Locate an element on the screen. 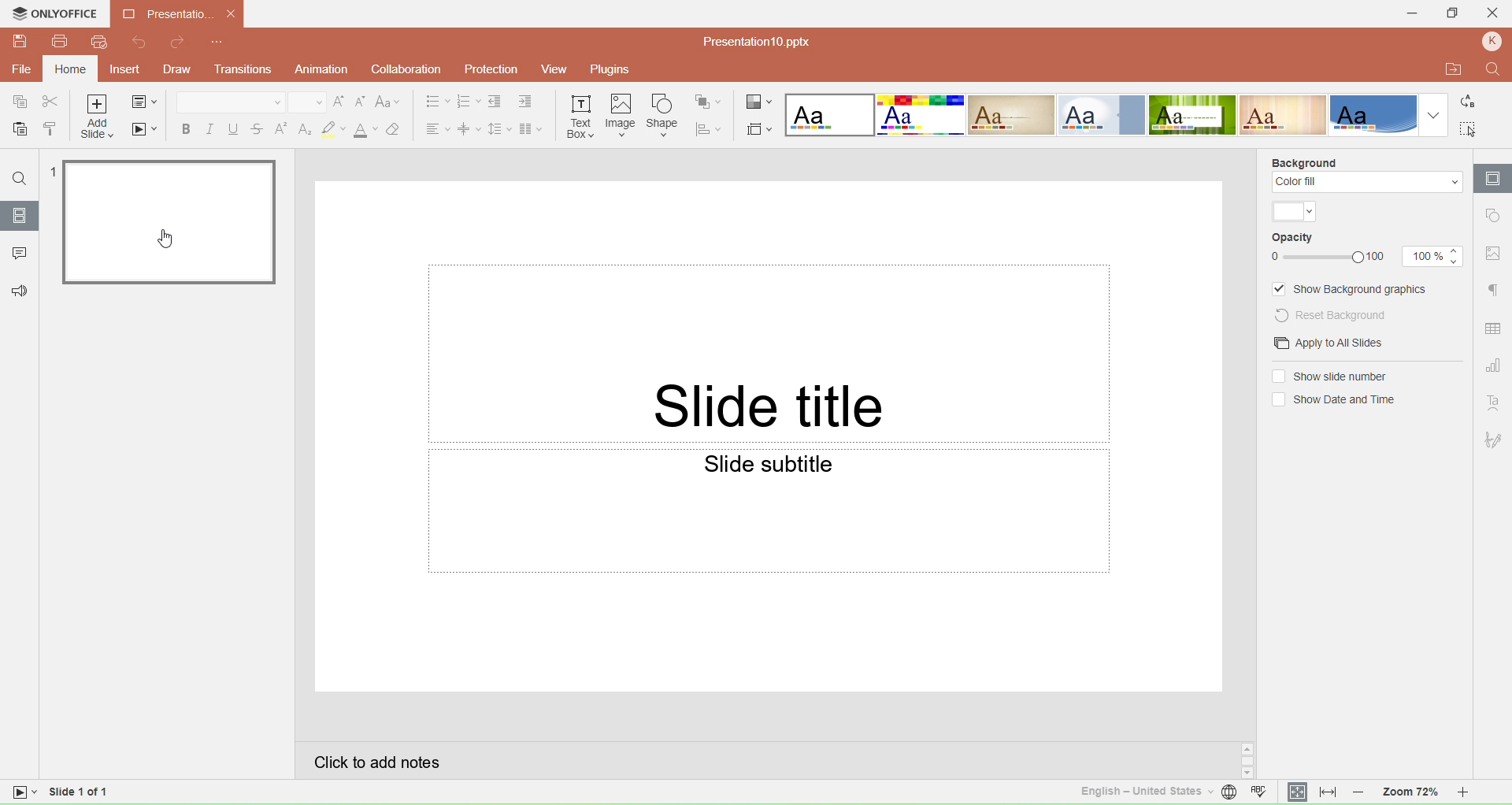 This screenshot has height=805, width=1512. Find is located at coordinates (1492, 69).